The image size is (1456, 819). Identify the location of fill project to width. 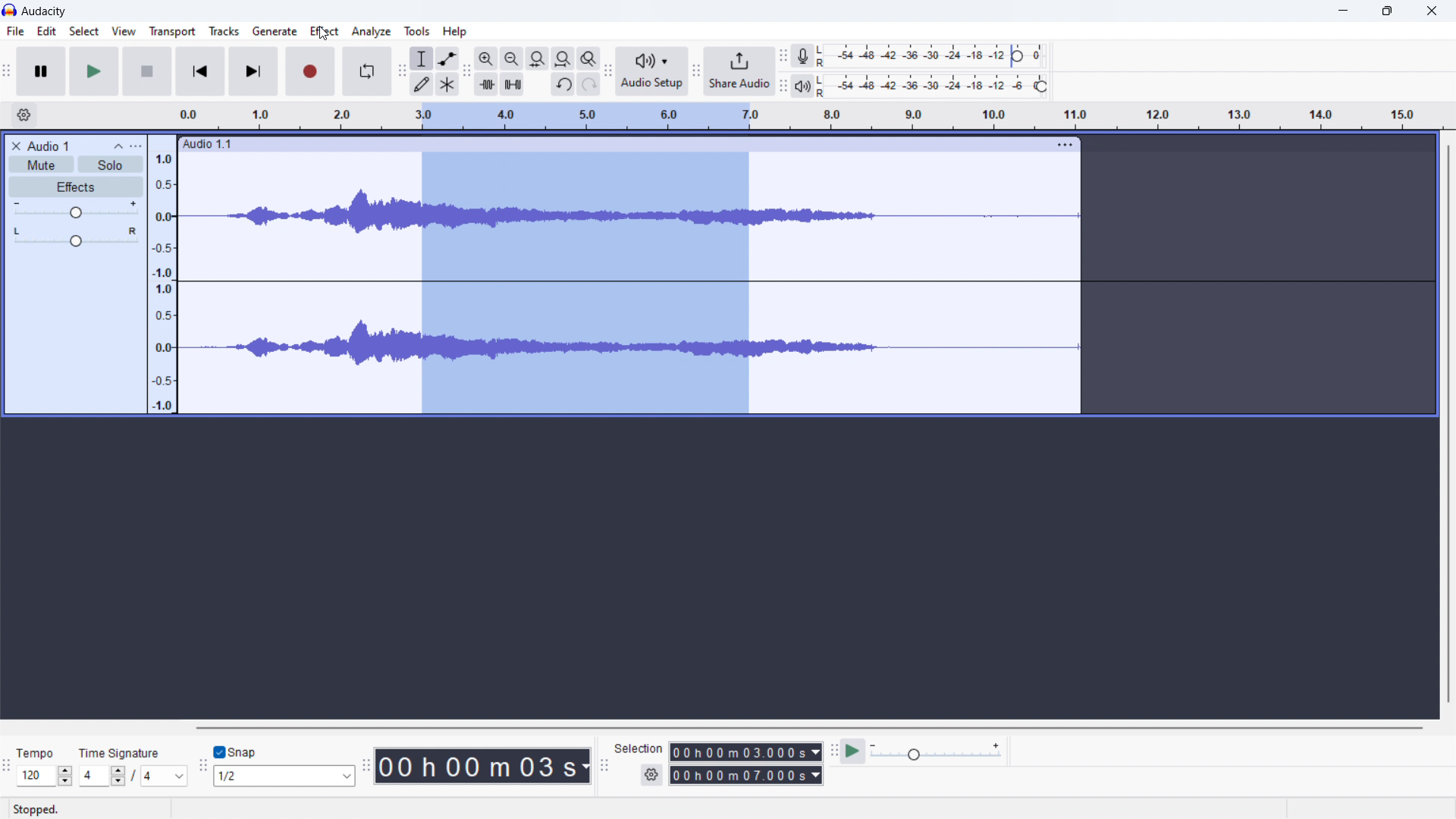
(563, 58).